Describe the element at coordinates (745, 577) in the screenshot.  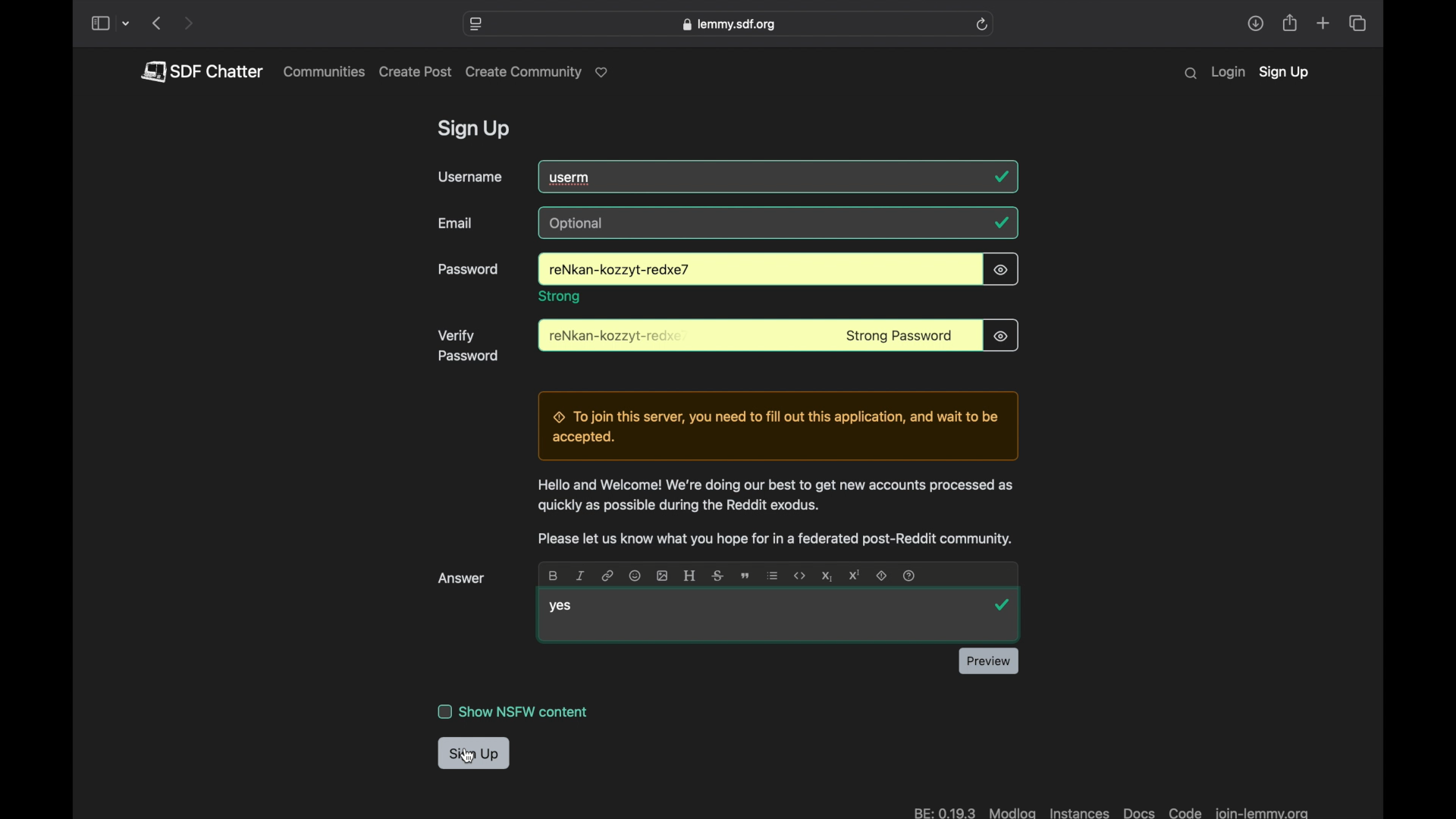
I see `quote` at that location.